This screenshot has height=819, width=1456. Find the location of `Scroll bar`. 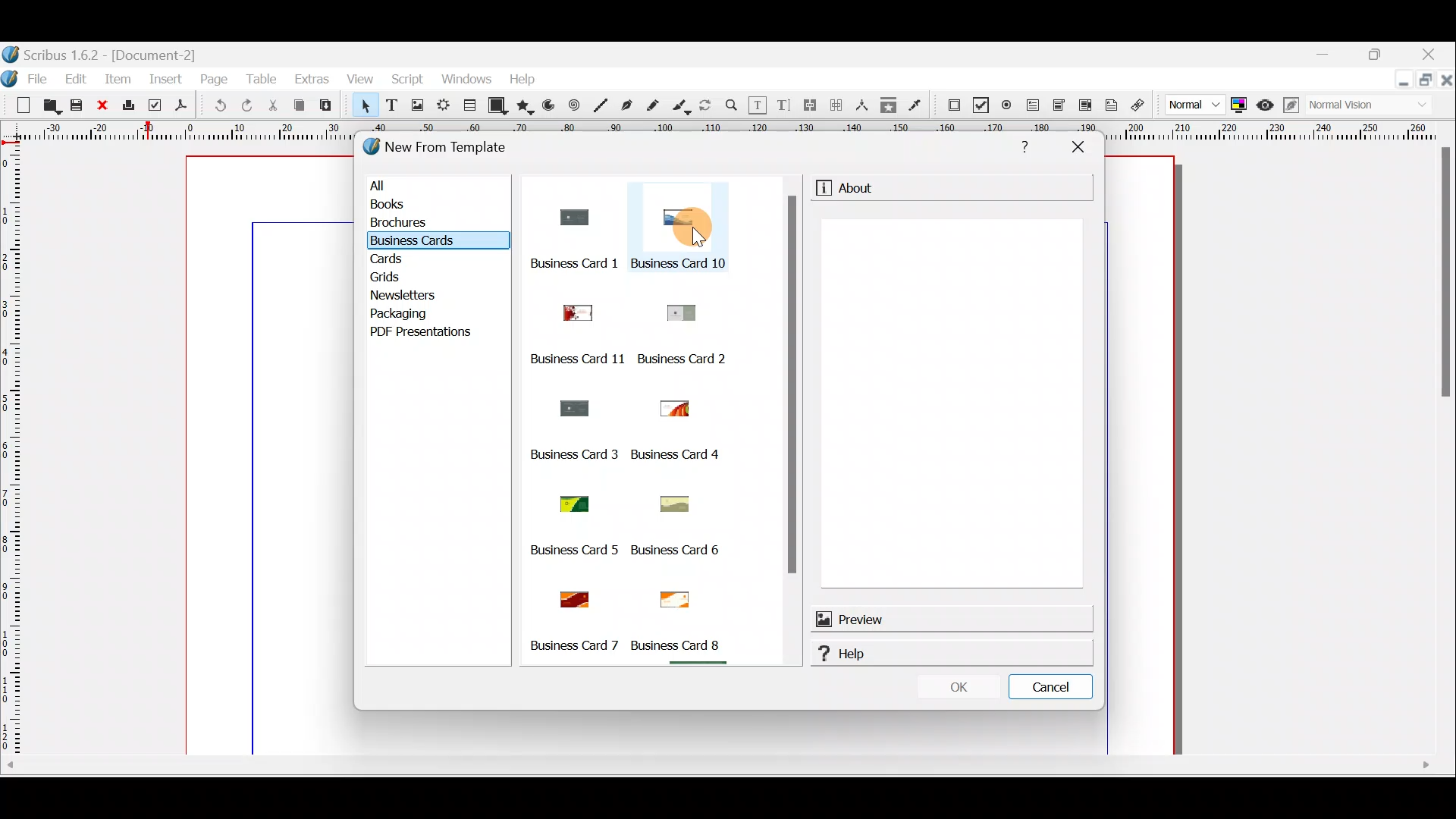

Scroll bar is located at coordinates (792, 429).